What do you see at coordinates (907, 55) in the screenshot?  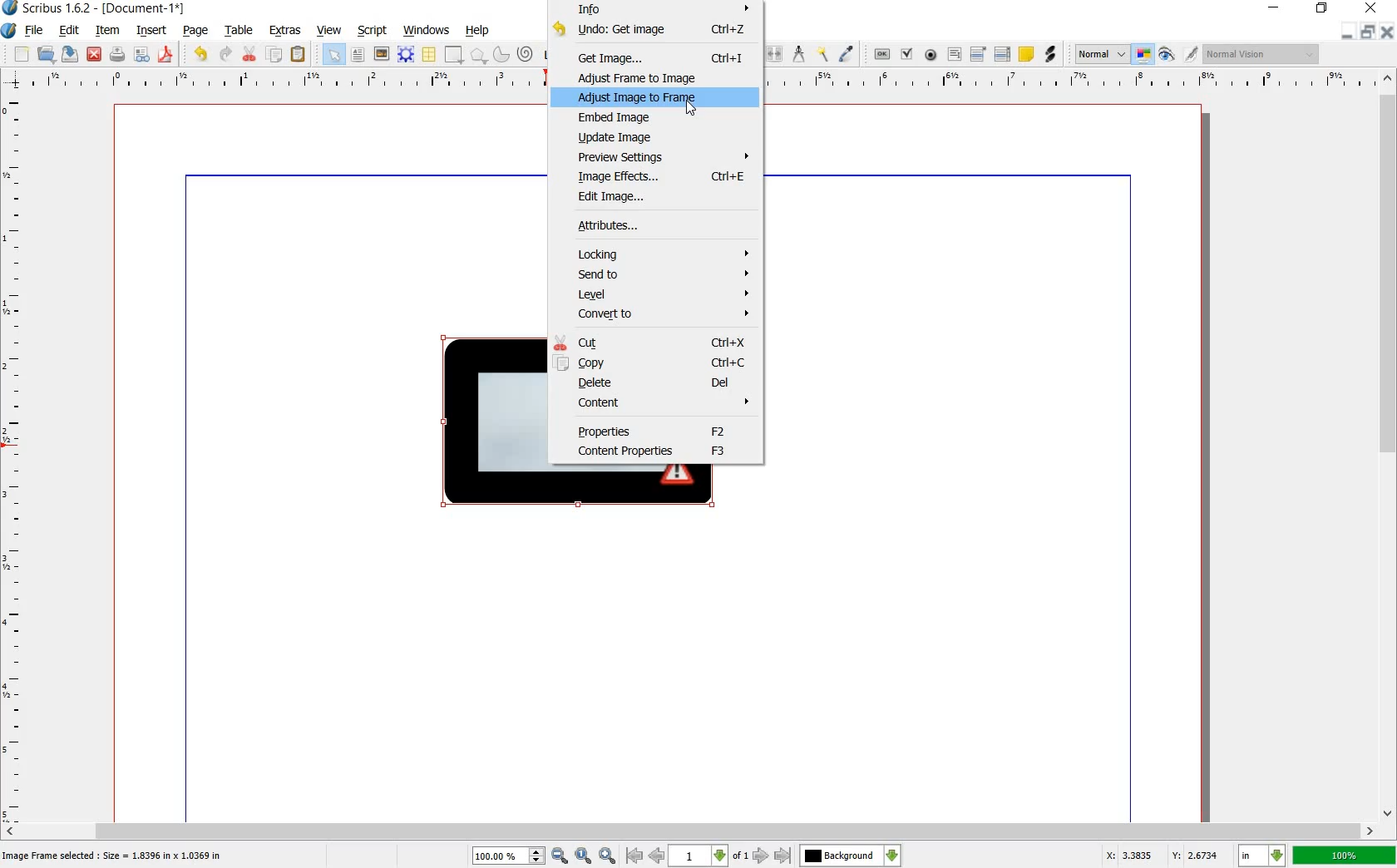 I see `pdf check box` at bounding box center [907, 55].